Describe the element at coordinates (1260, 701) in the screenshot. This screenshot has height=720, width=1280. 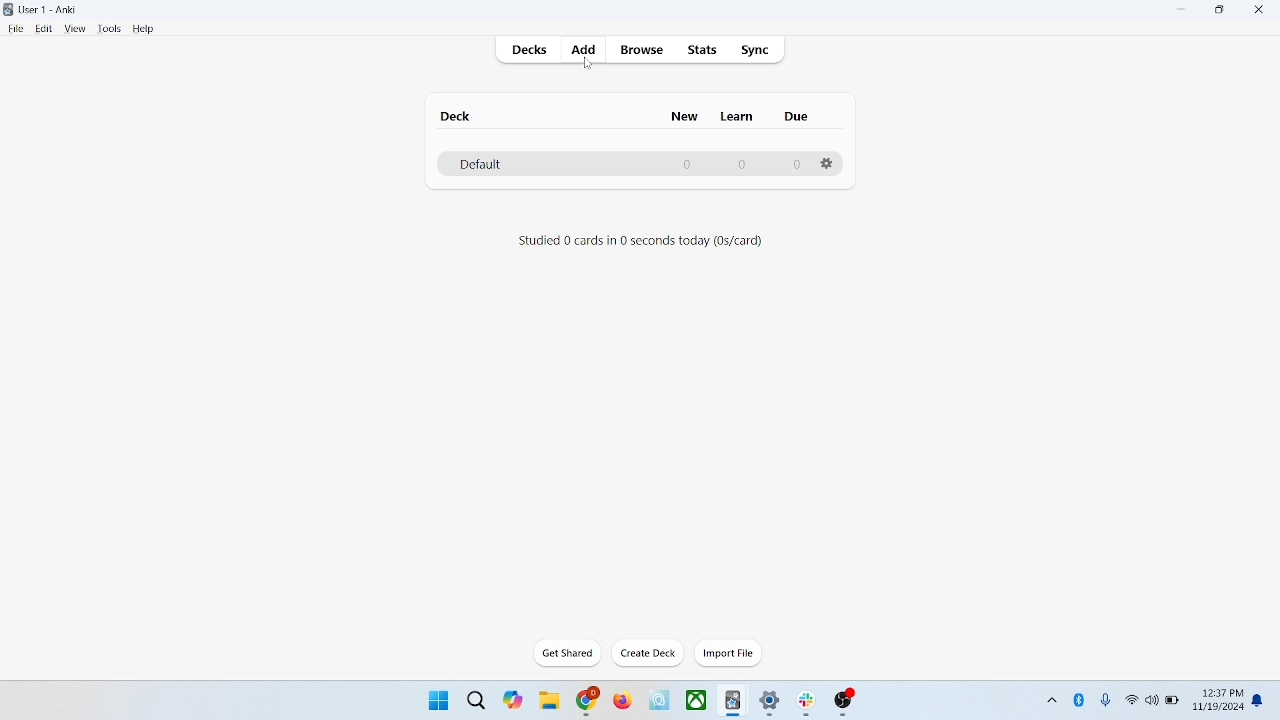
I see `notification` at that location.